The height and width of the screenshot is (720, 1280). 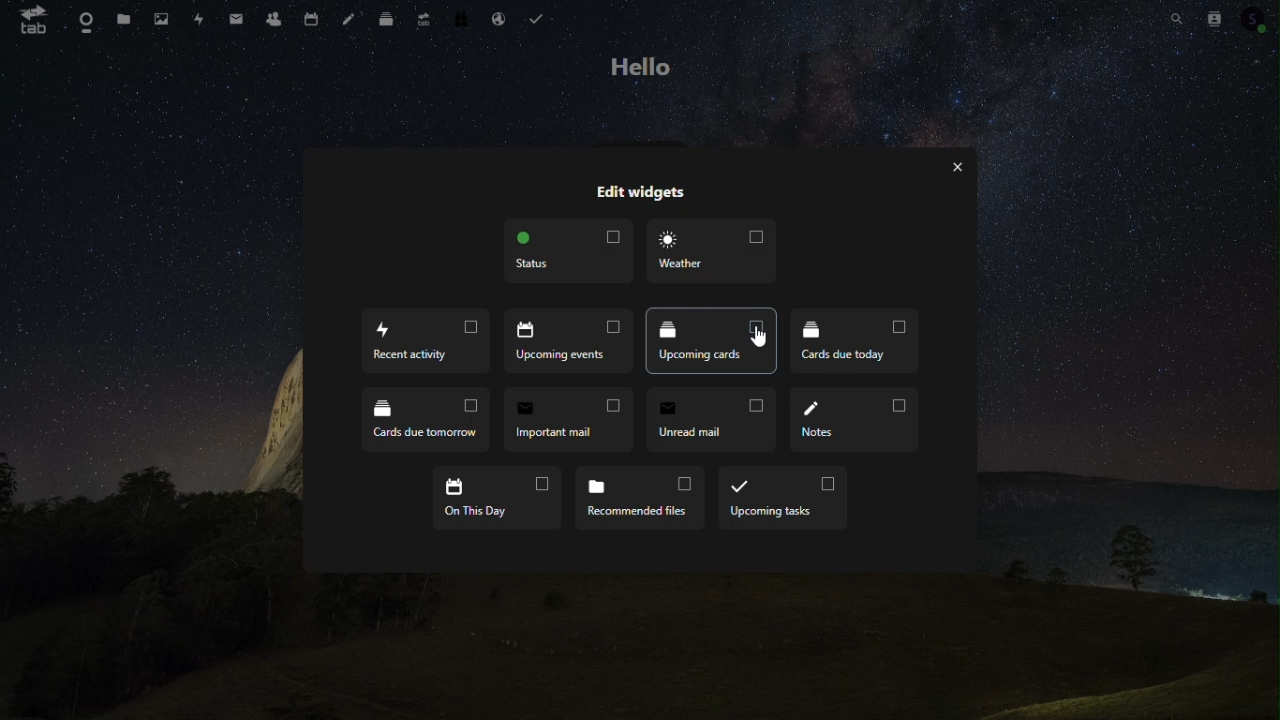 What do you see at coordinates (567, 340) in the screenshot?
I see `Upcoming events ` at bounding box center [567, 340].